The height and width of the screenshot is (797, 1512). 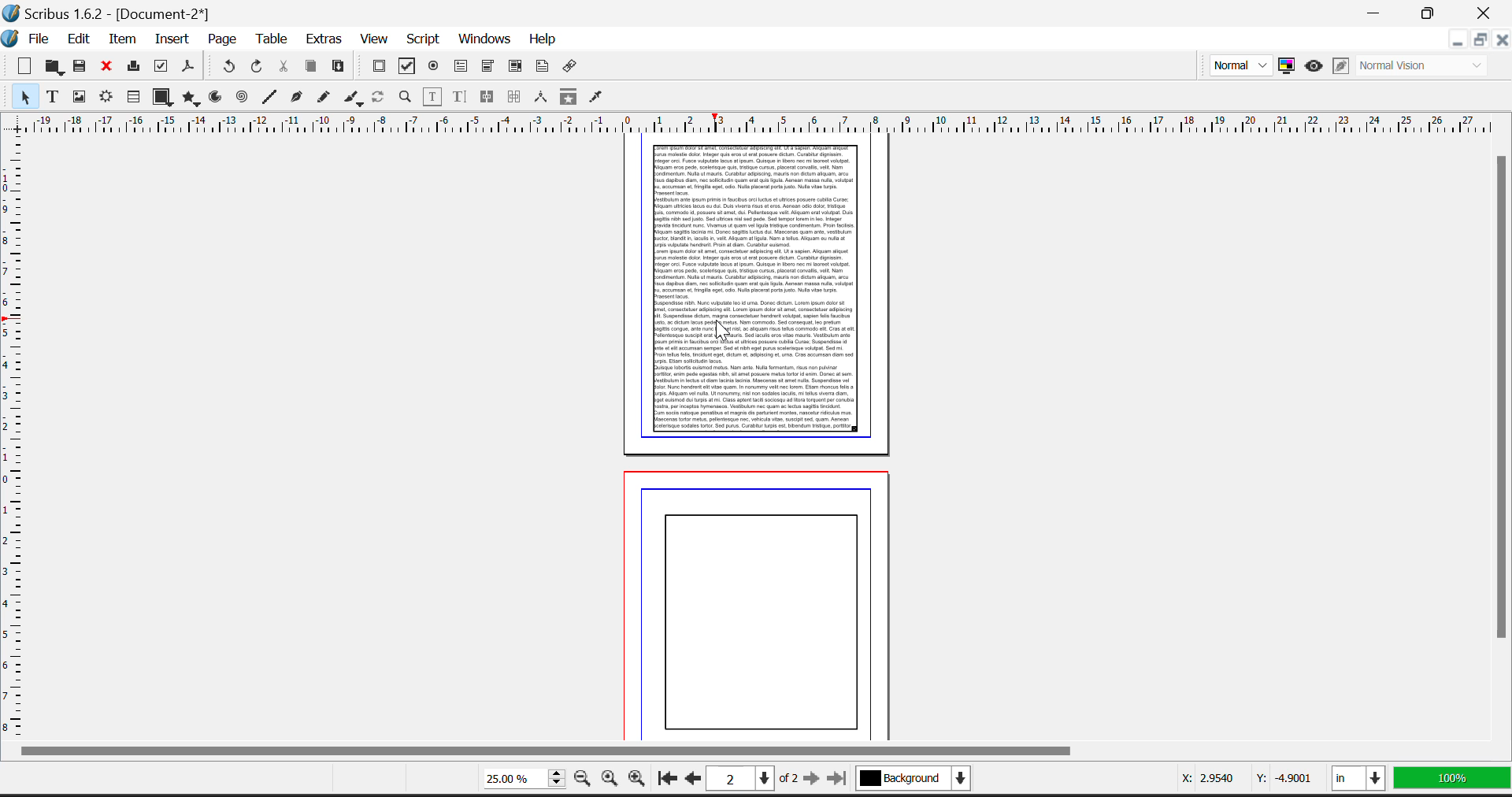 I want to click on PDF Checkbox, so click(x=379, y=67).